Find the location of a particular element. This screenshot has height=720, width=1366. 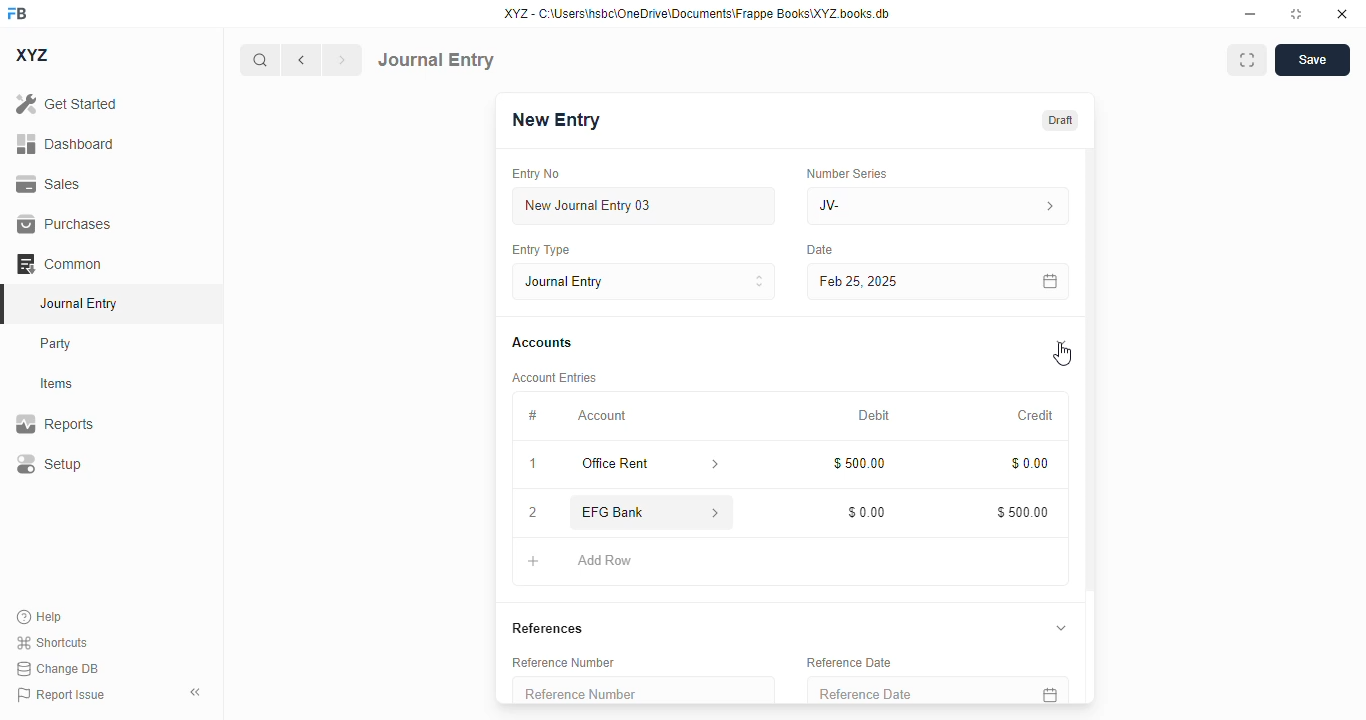

account information is located at coordinates (717, 513).